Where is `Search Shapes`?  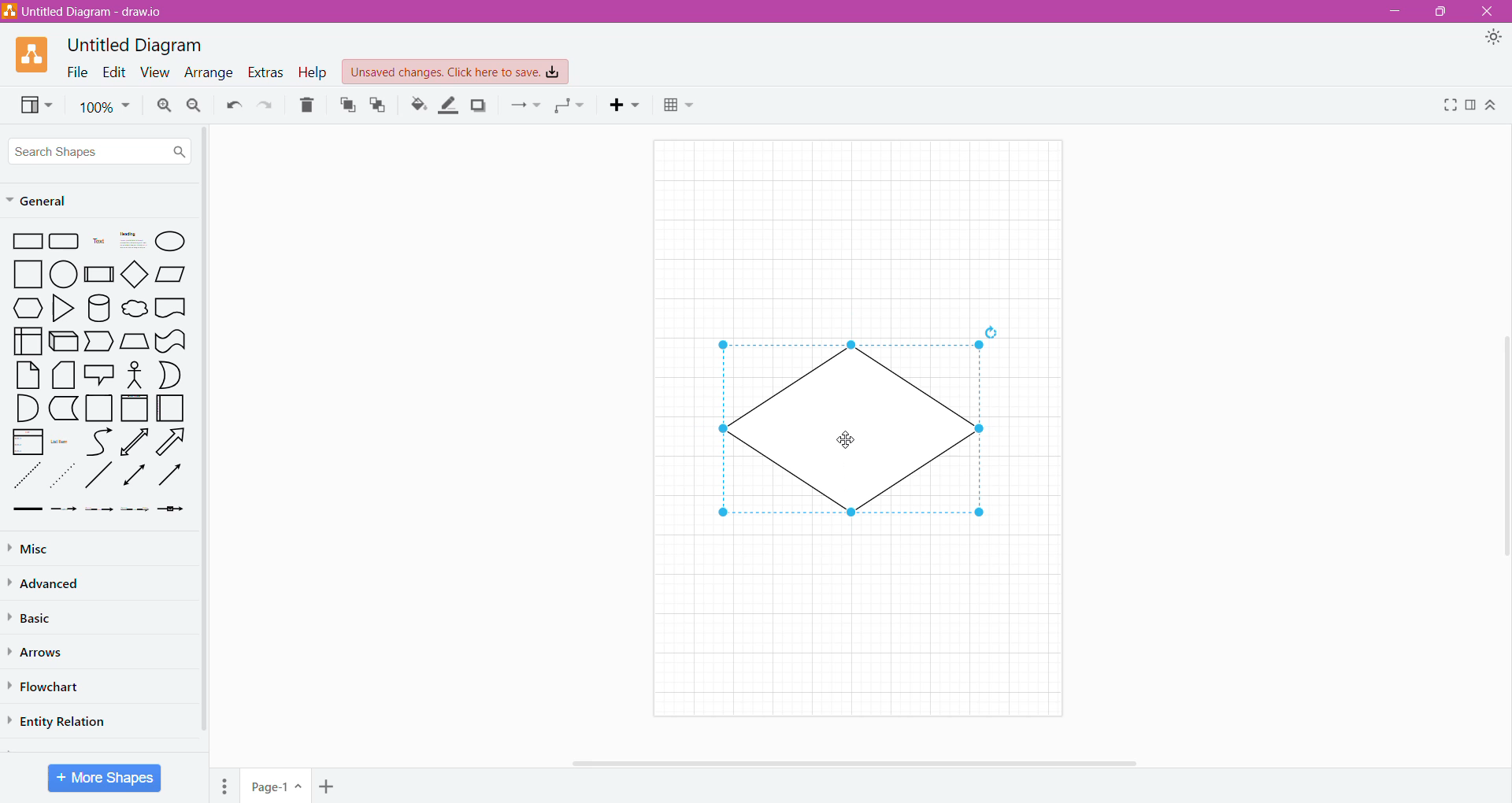
Search Shapes is located at coordinates (100, 151).